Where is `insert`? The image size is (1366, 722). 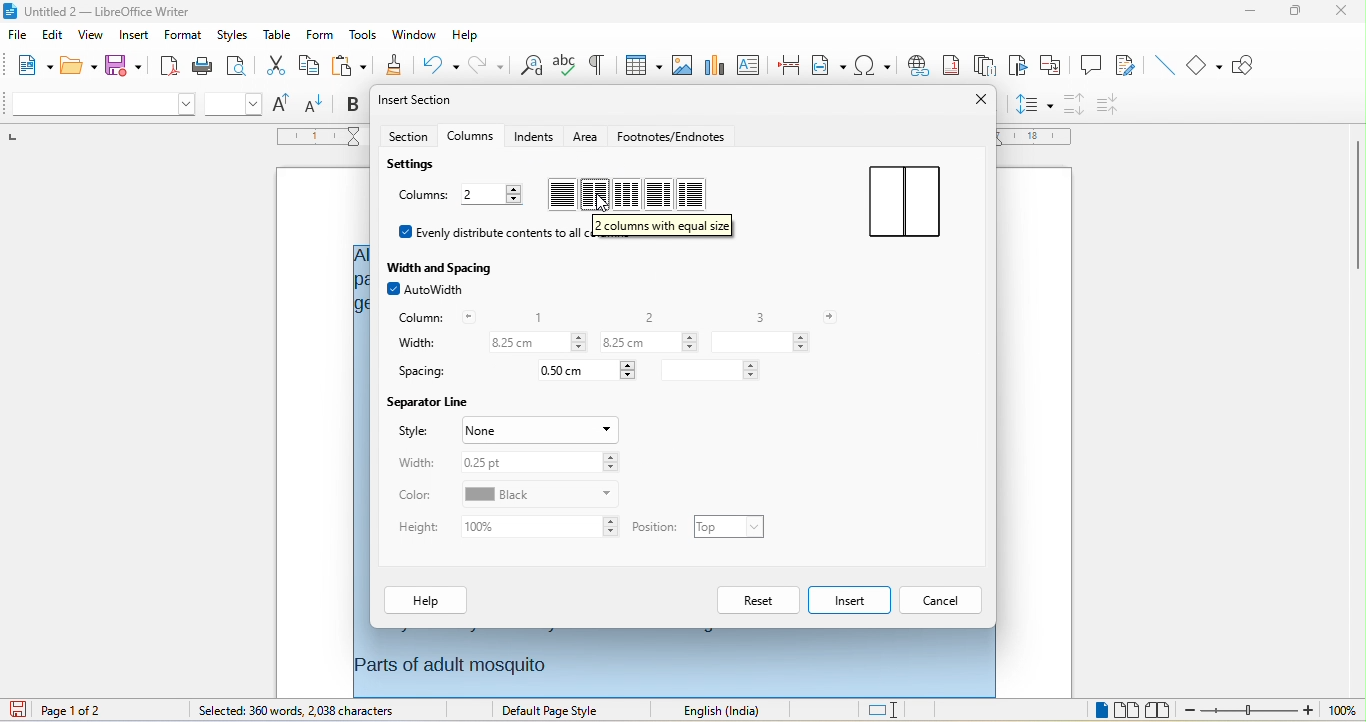 insert is located at coordinates (849, 600).